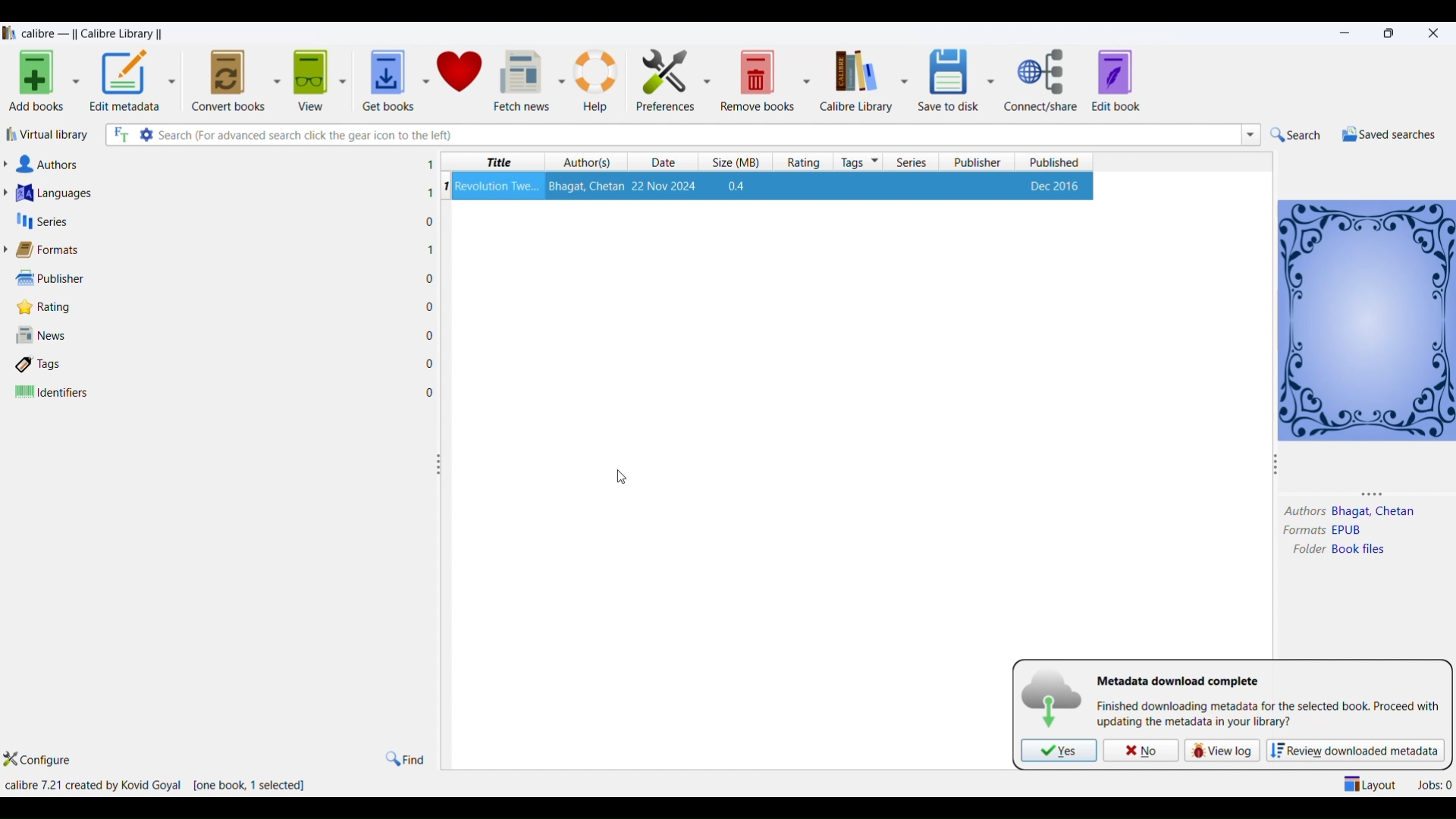 The height and width of the screenshot is (819, 1456). What do you see at coordinates (177, 81) in the screenshot?
I see `edit metadata options dropdown button` at bounding box center [177, 81].